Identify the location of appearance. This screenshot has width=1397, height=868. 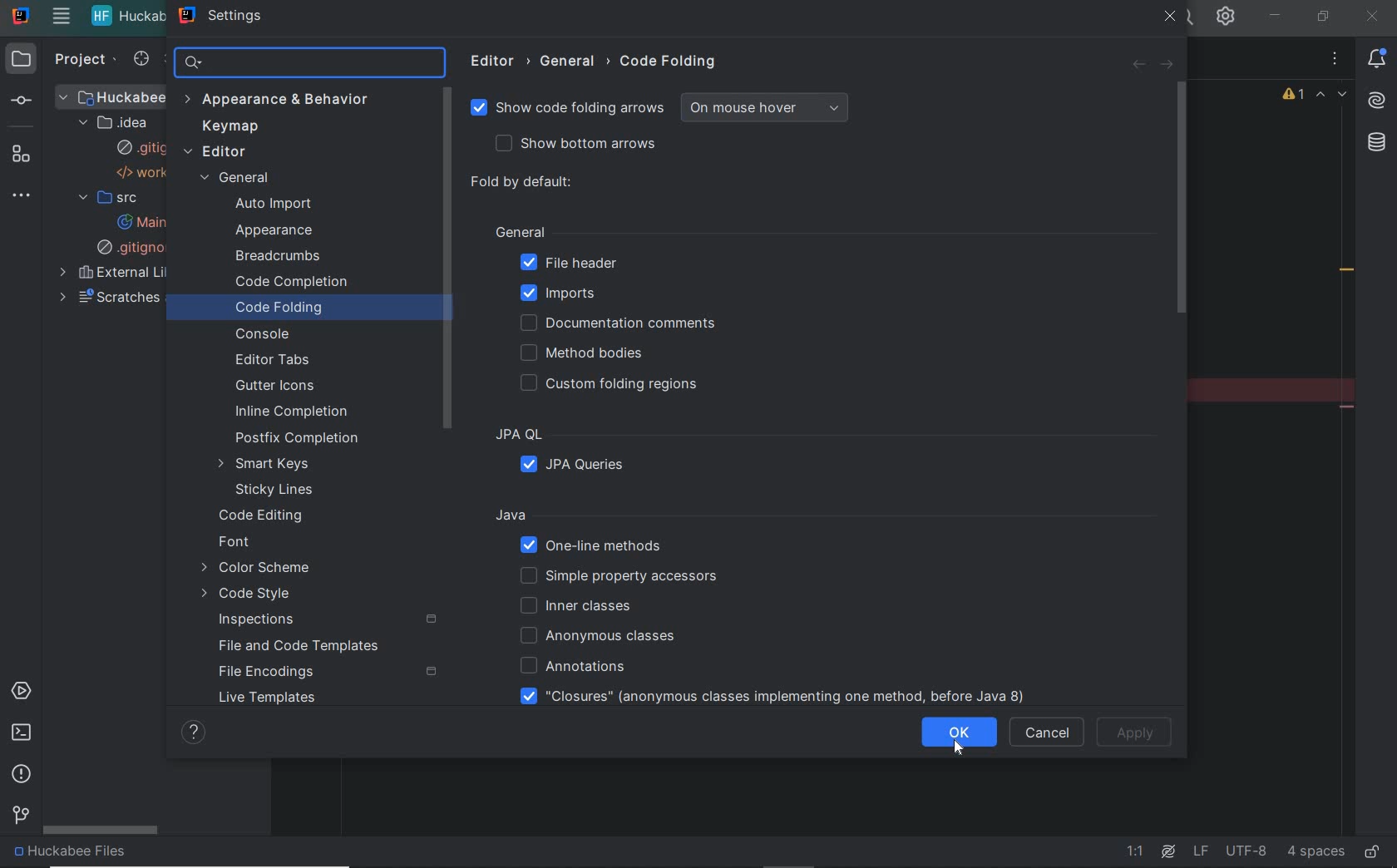
(279, 230).